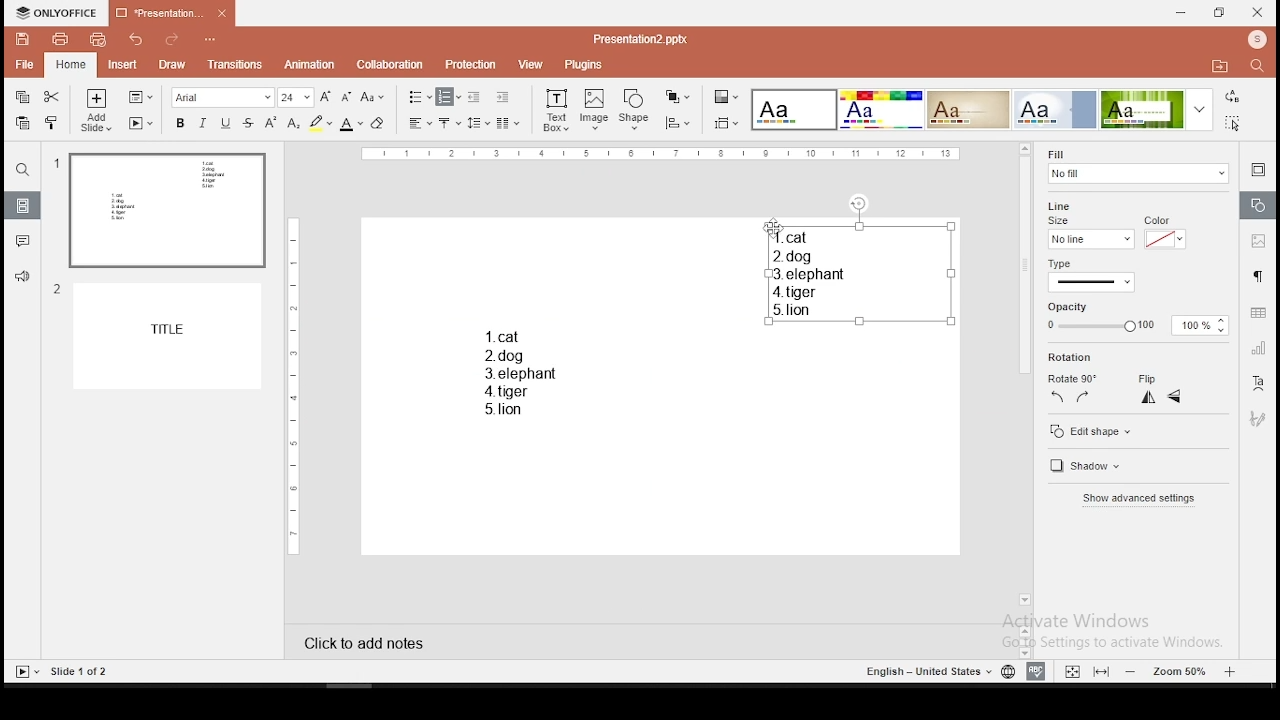 The image size is (1280, 720). What do you see at coordinates (1072, 357) in the screenshot?
I see `rotation` at bounding box center [1072, 357].